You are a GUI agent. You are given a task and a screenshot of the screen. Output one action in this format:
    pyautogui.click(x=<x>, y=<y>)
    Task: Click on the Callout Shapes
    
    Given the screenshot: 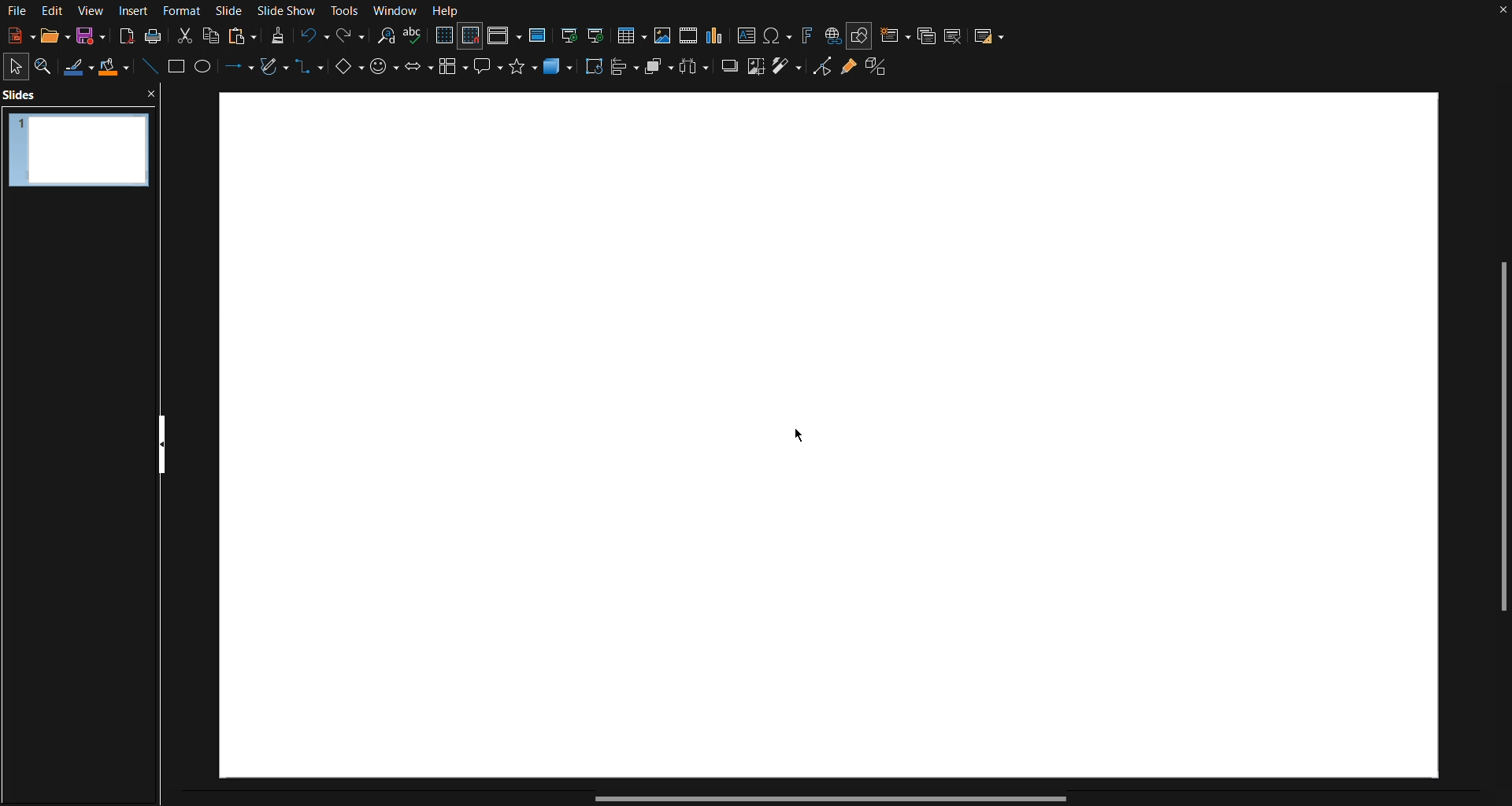 What is the action you would take?
    pyautogui.click(x=489, y=72)
    